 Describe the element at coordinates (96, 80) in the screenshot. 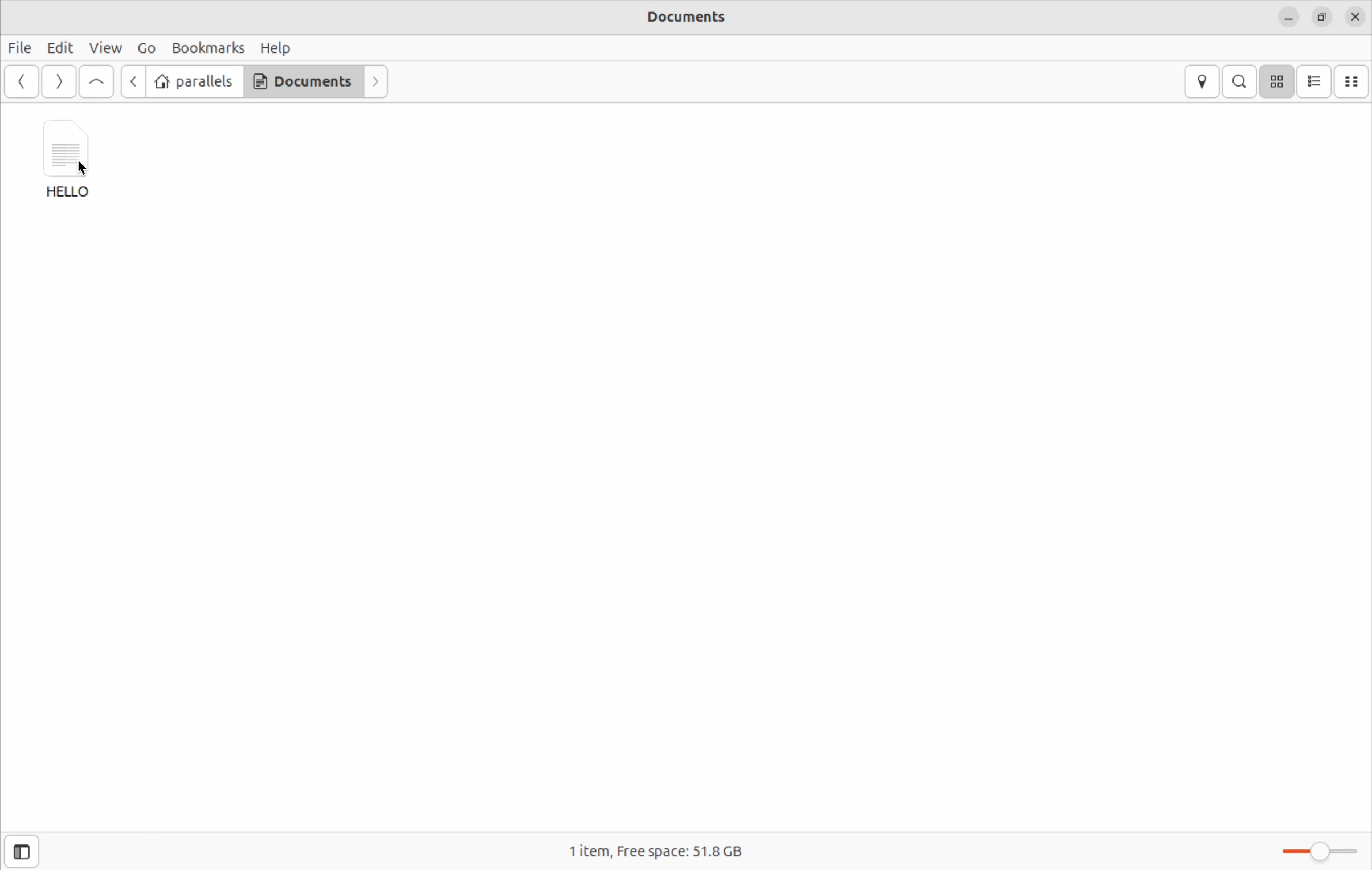

I see `Go up` at that location.